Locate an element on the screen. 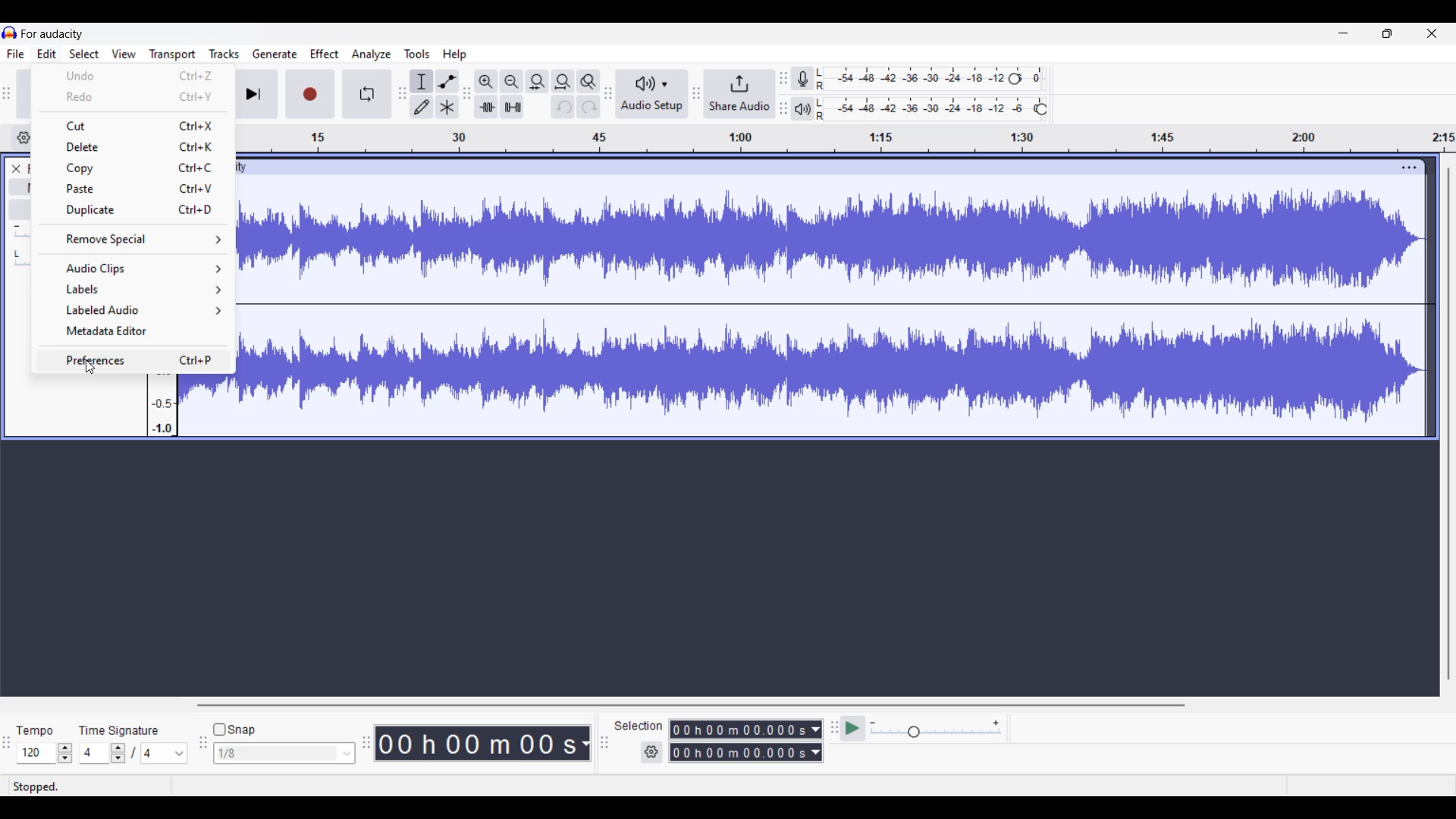 Image resolution: width=1456 pixels, height=819 pixels. Input tempo is located at coordinates (36, 753).